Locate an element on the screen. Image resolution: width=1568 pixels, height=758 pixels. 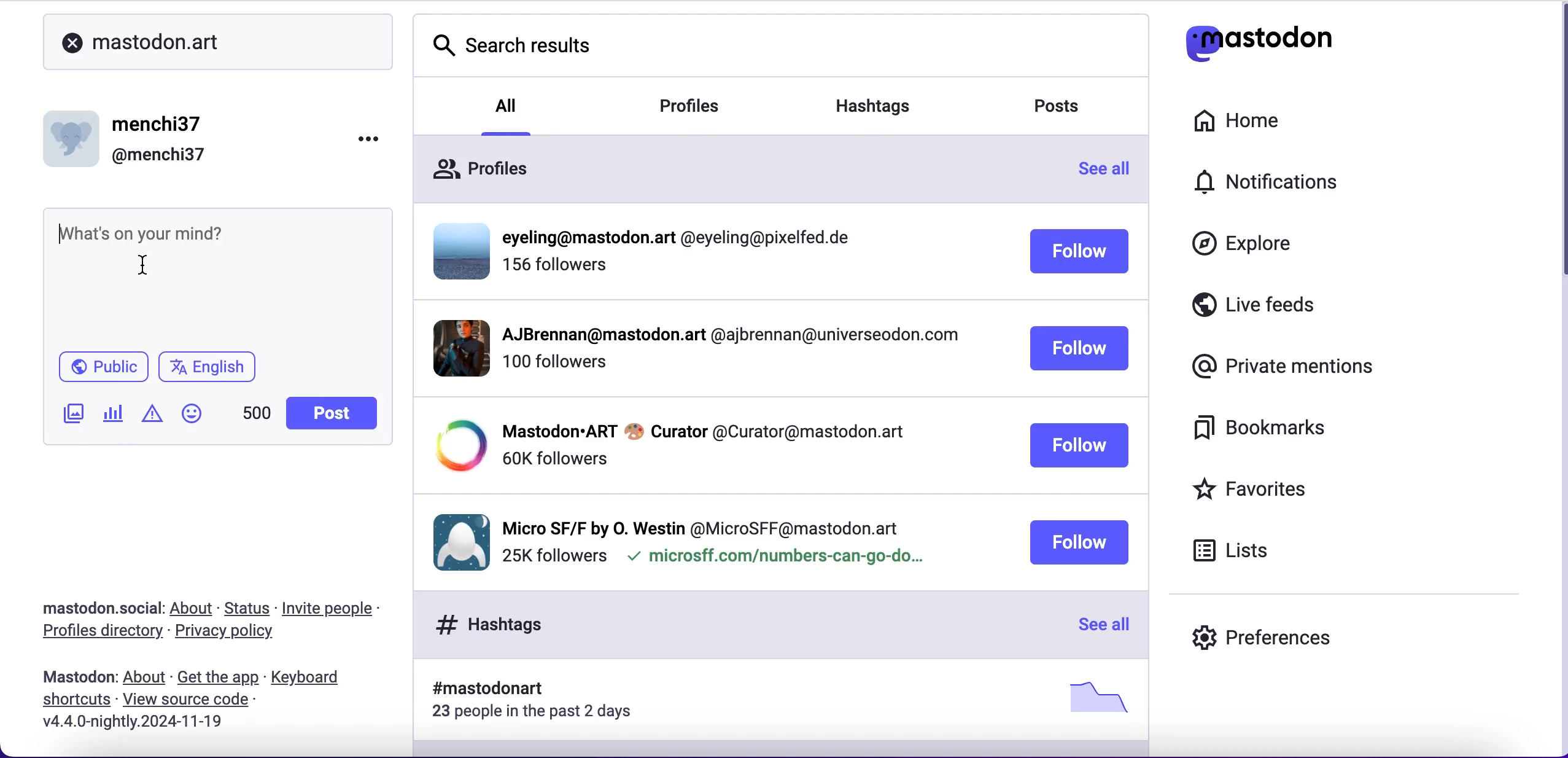
live feeds is located at coordinates (1297, 305).